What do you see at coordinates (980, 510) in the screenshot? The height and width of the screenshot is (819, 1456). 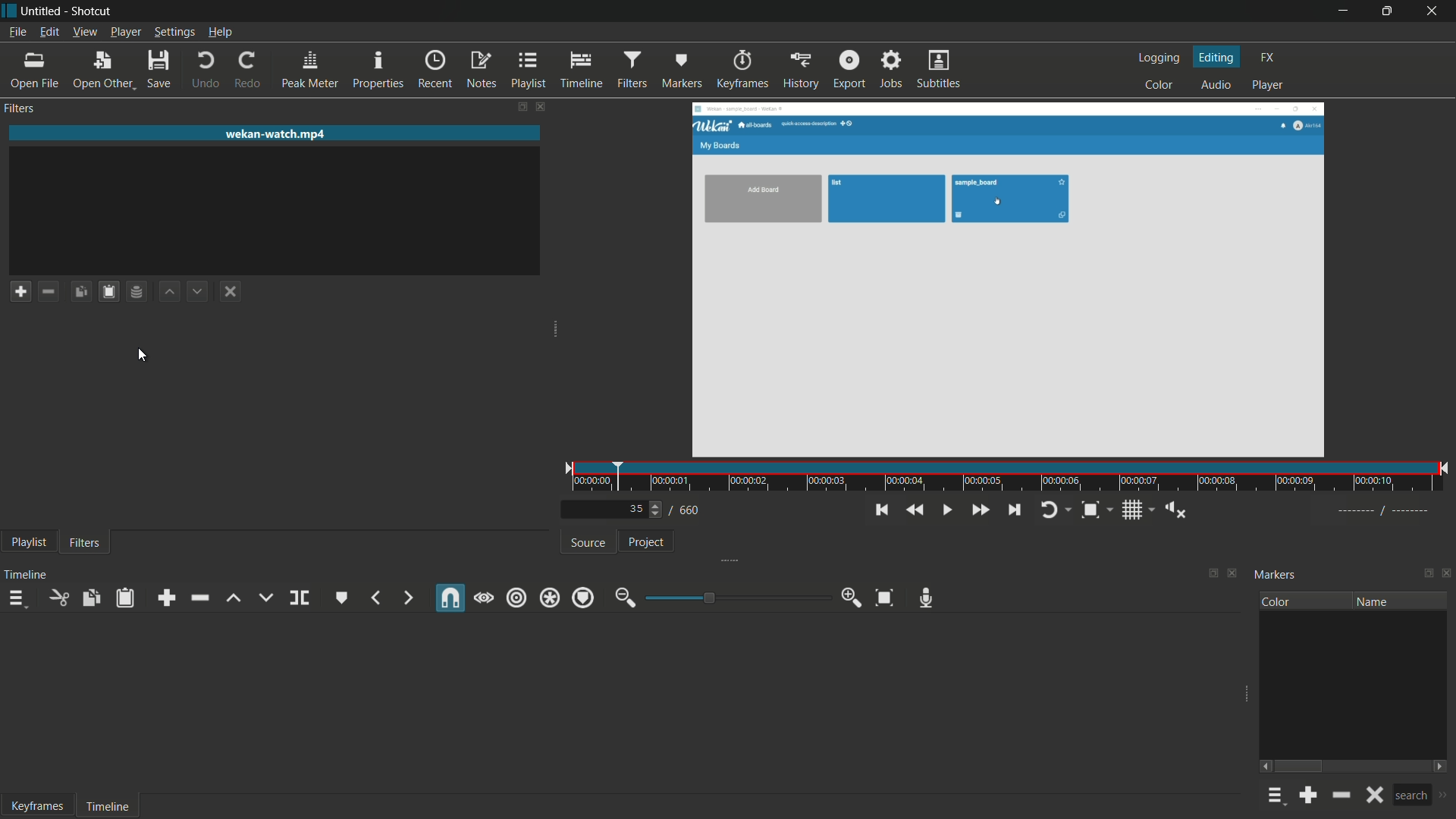 I see `quickly play forward` at bounding box center [980, 510].